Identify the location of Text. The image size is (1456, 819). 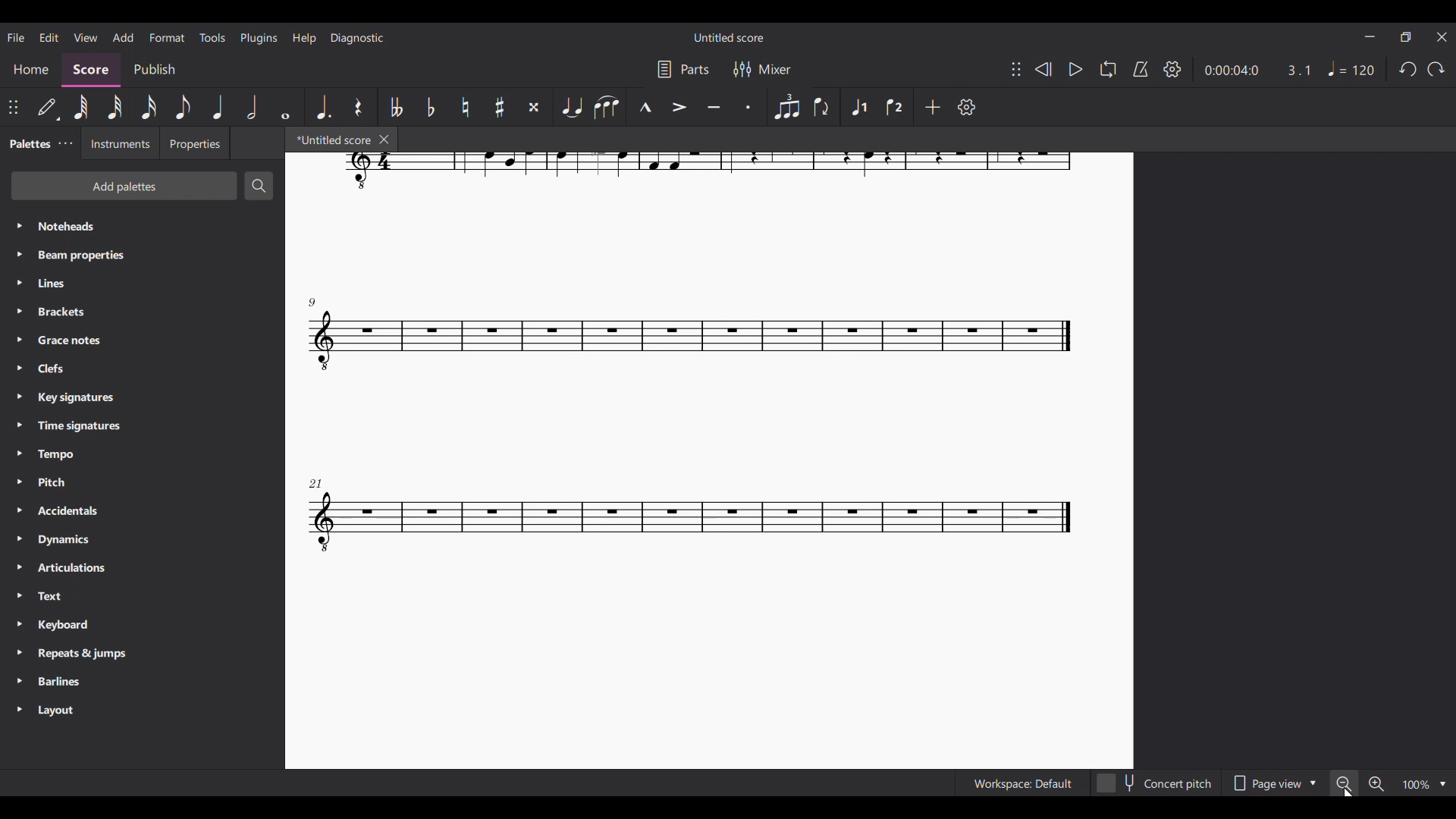
(142, 595).